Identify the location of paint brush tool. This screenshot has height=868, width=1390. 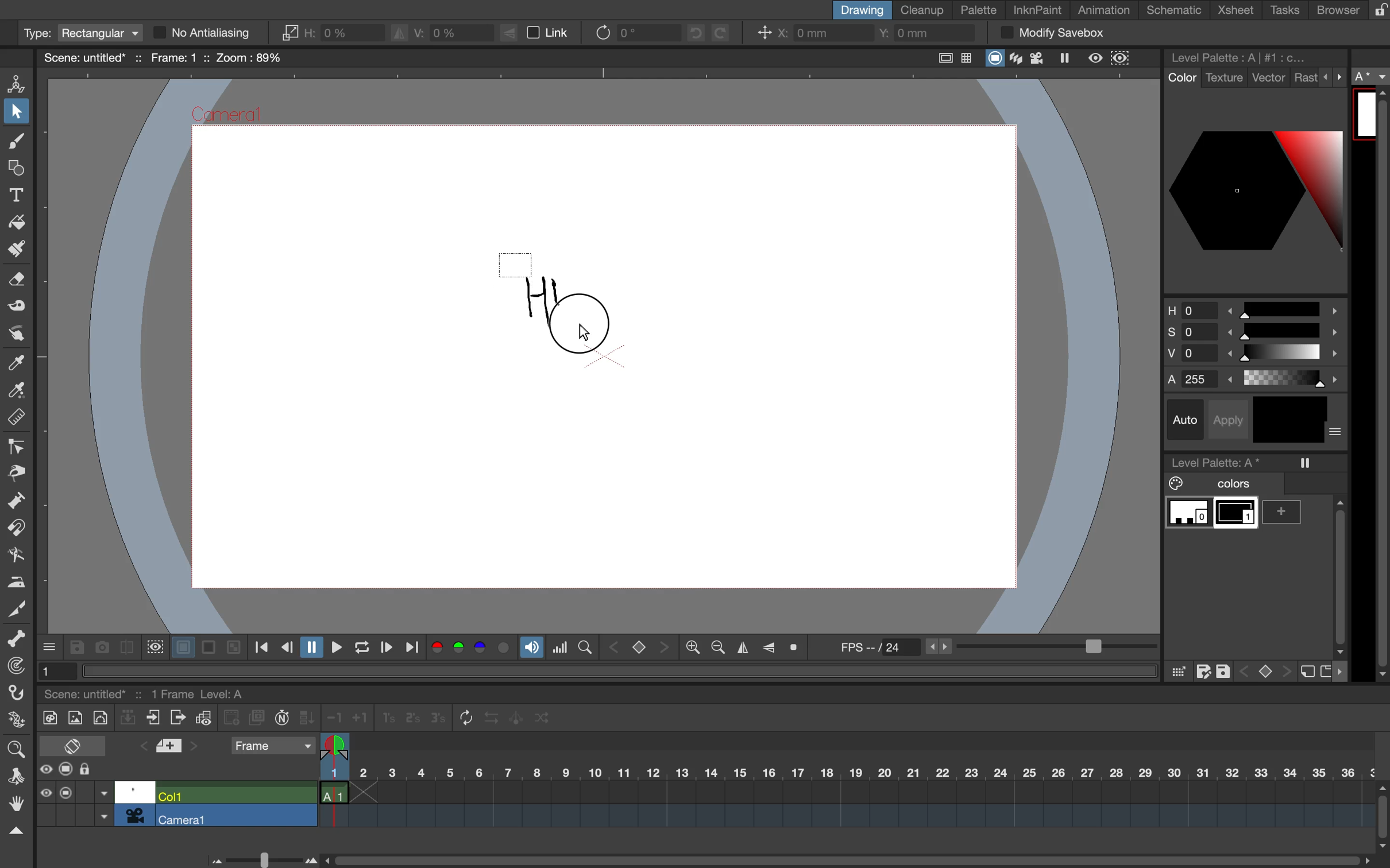
(13, 251).